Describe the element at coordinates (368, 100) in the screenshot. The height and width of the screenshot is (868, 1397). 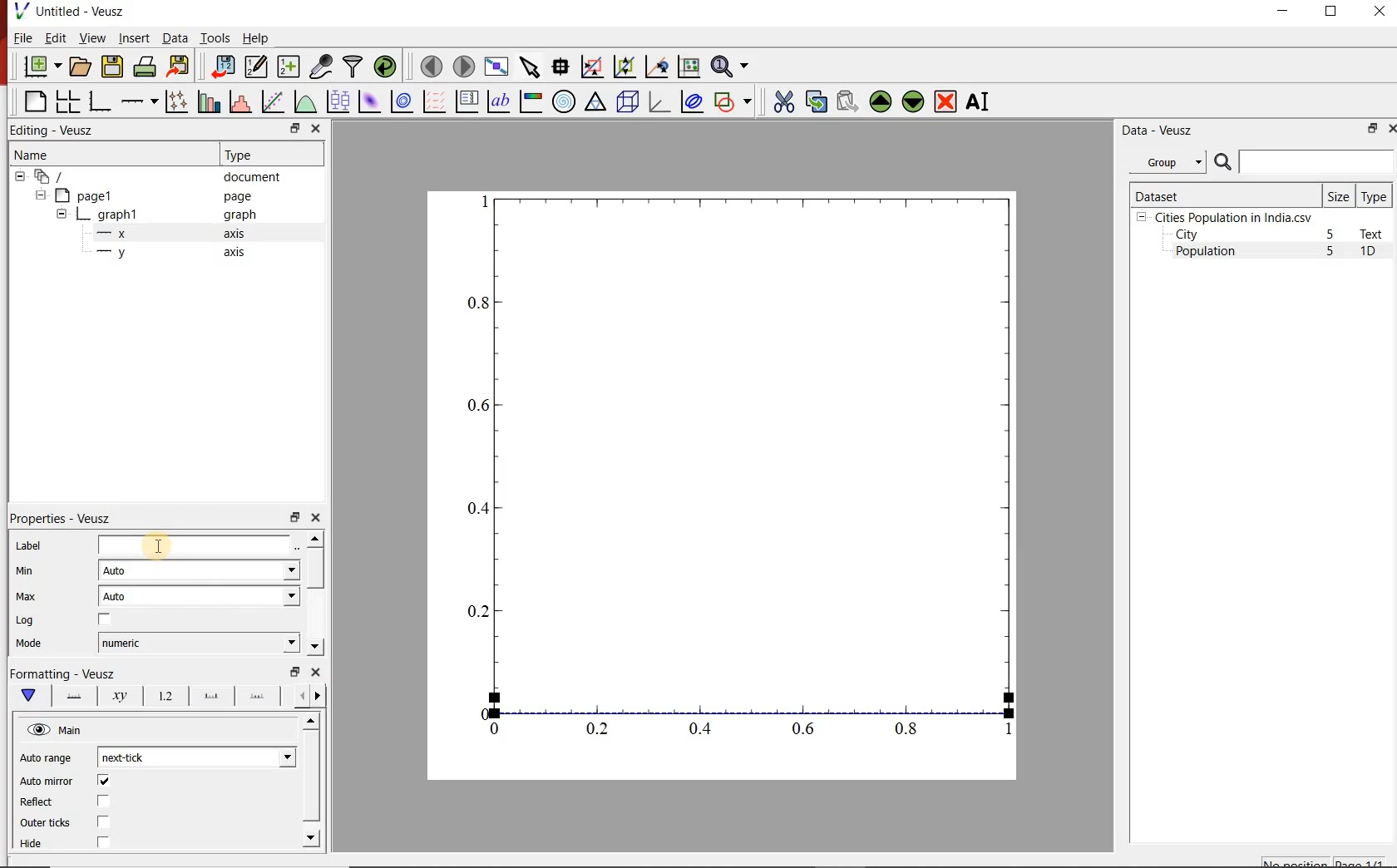
I see `plot a 2d dataset as an image` at that location.